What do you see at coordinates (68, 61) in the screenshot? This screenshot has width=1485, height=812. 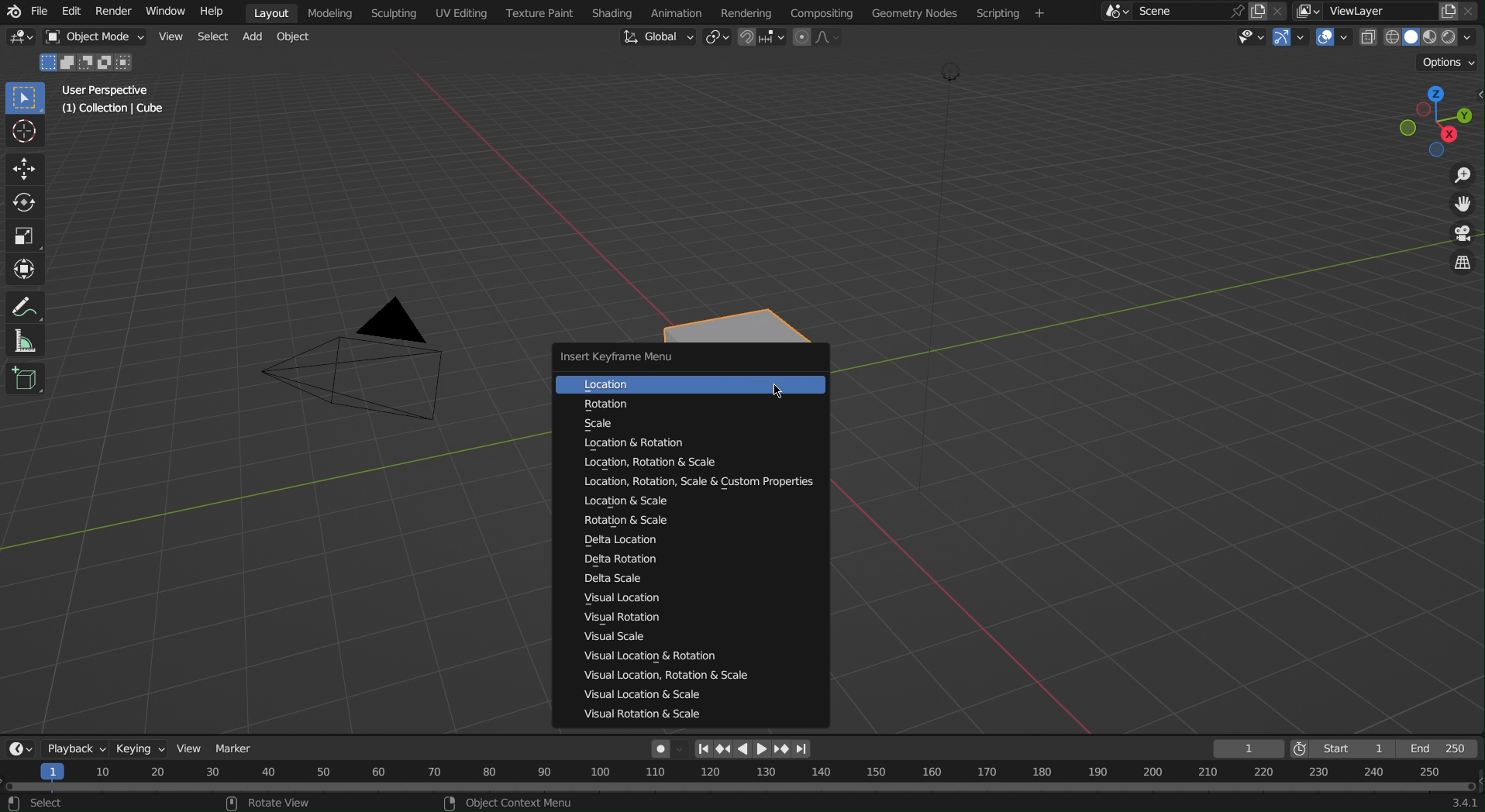 I see `Merge` at bounding box center [68, 61].